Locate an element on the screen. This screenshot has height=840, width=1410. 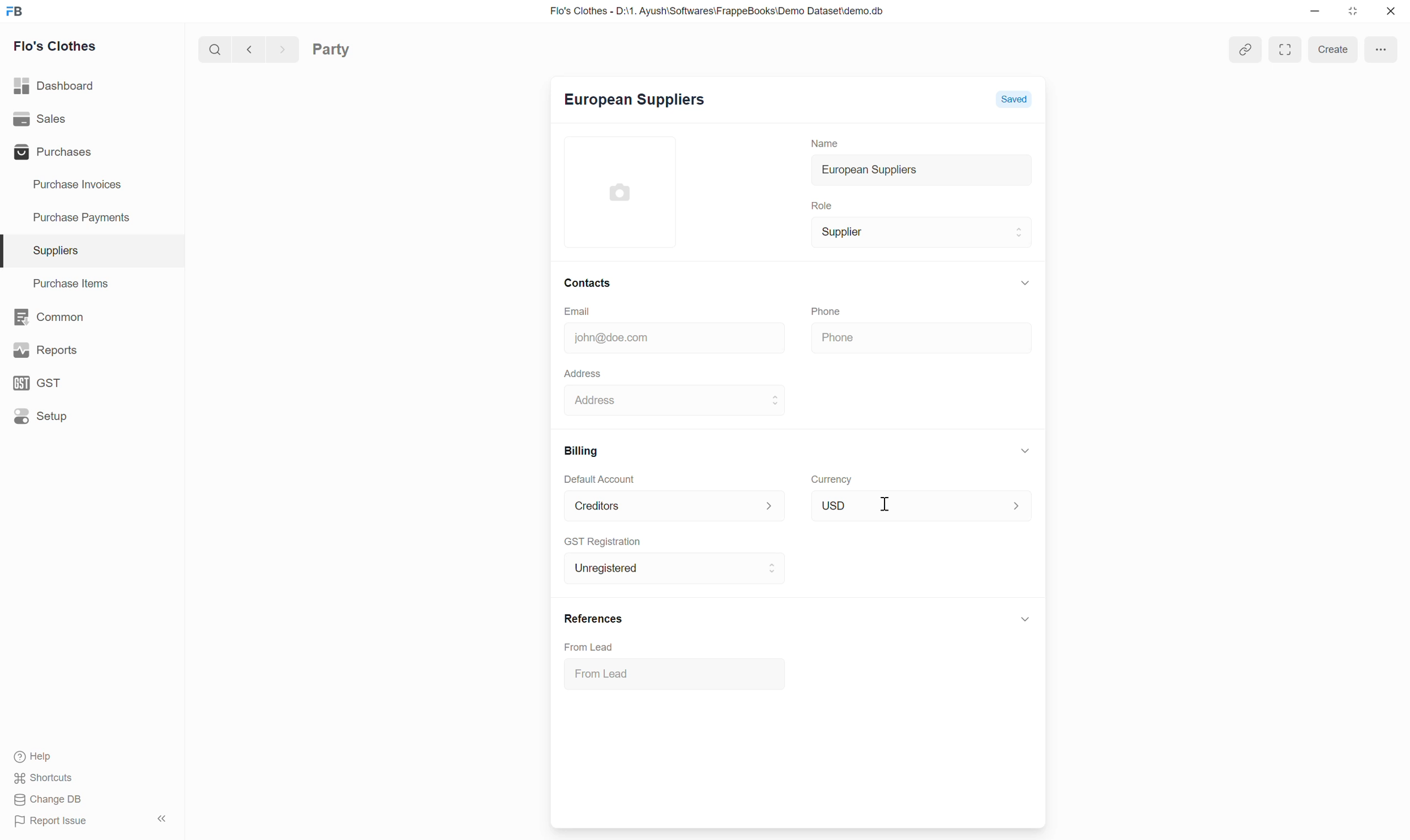
Name is located at coordinates (818, 140).